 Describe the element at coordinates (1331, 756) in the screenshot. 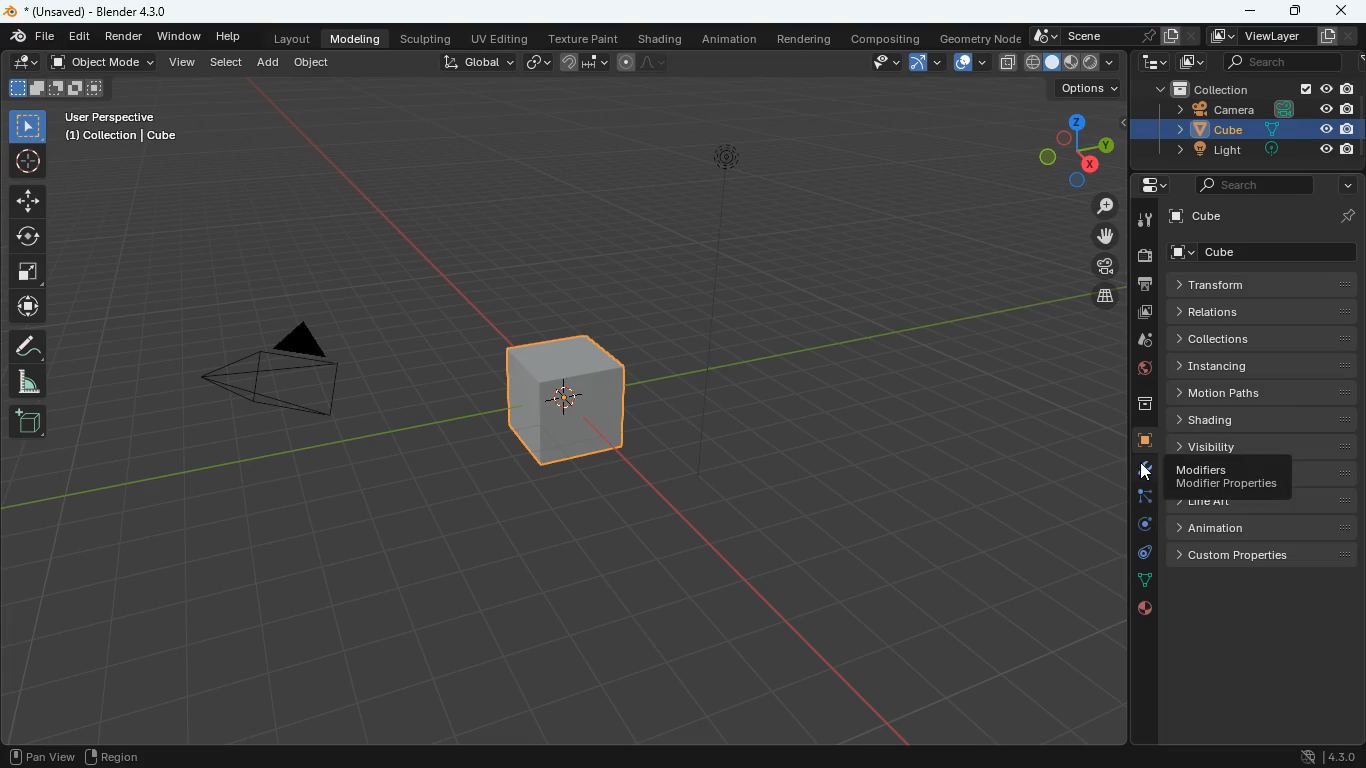

I see `version` at that location.